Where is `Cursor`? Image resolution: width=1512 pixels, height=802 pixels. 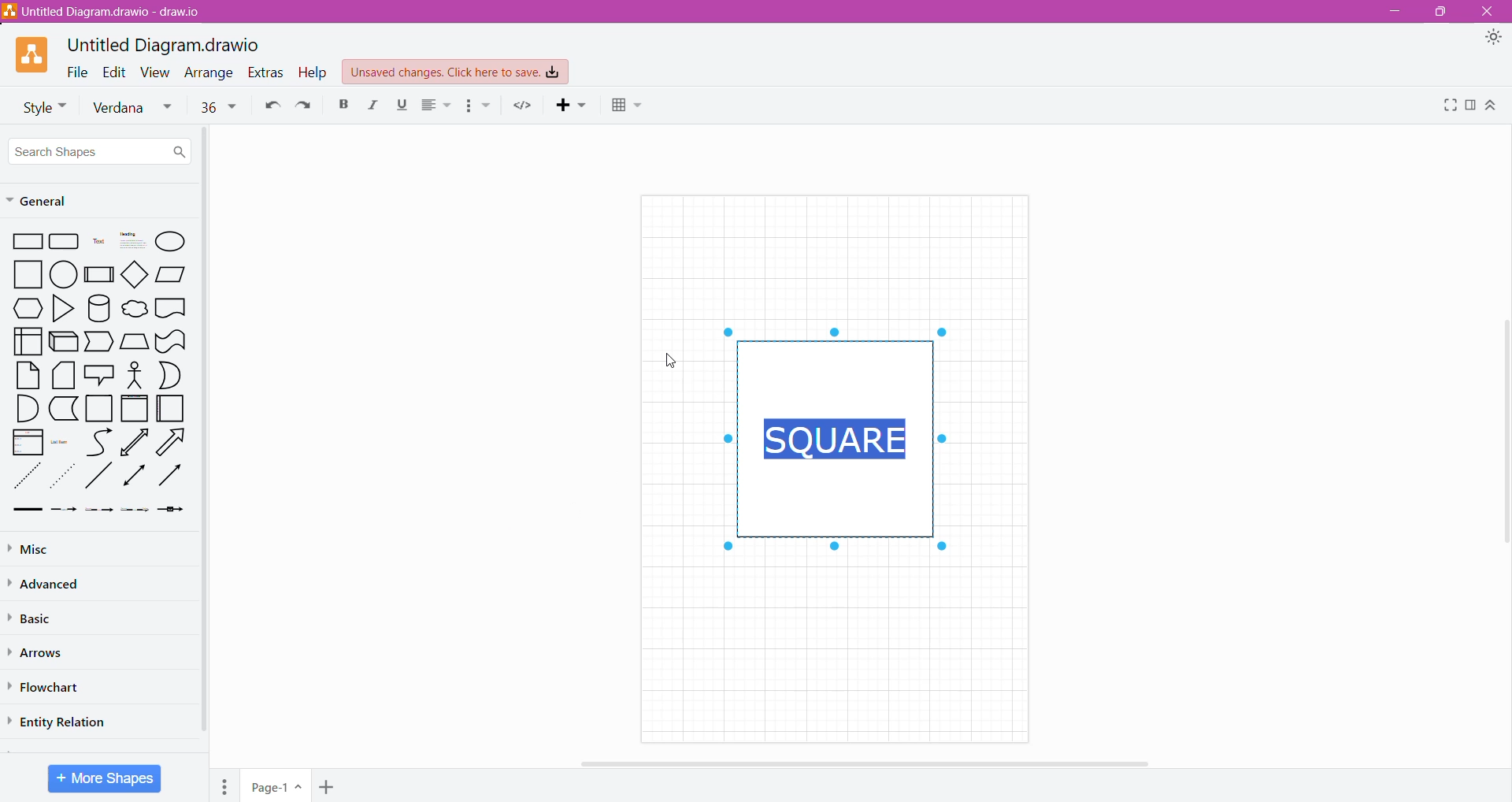 Cursor is located at coordinates (666, 360).